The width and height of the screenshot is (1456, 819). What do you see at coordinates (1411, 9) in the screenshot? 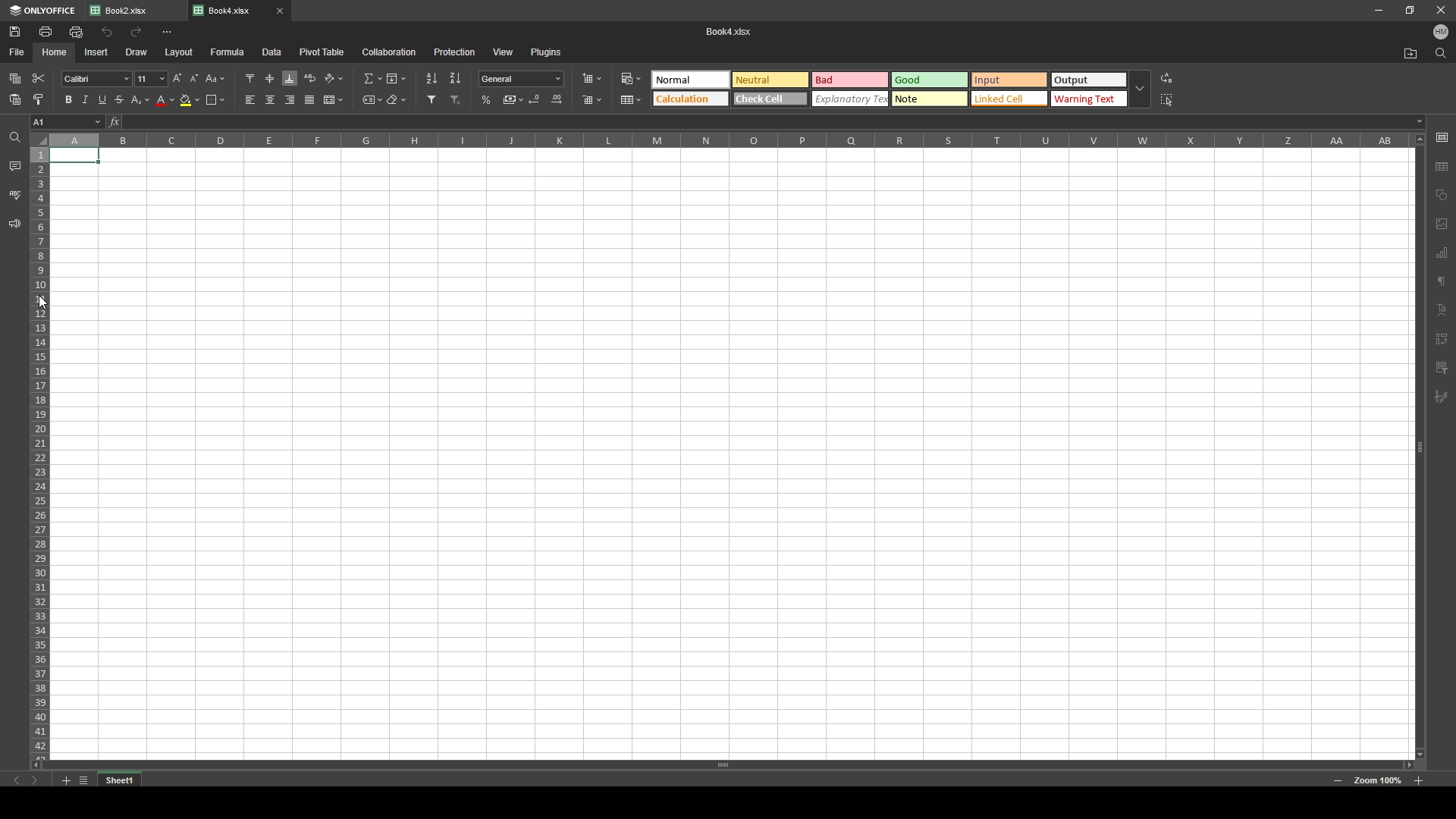
I see `resize` at bounding box center [1411, 9].